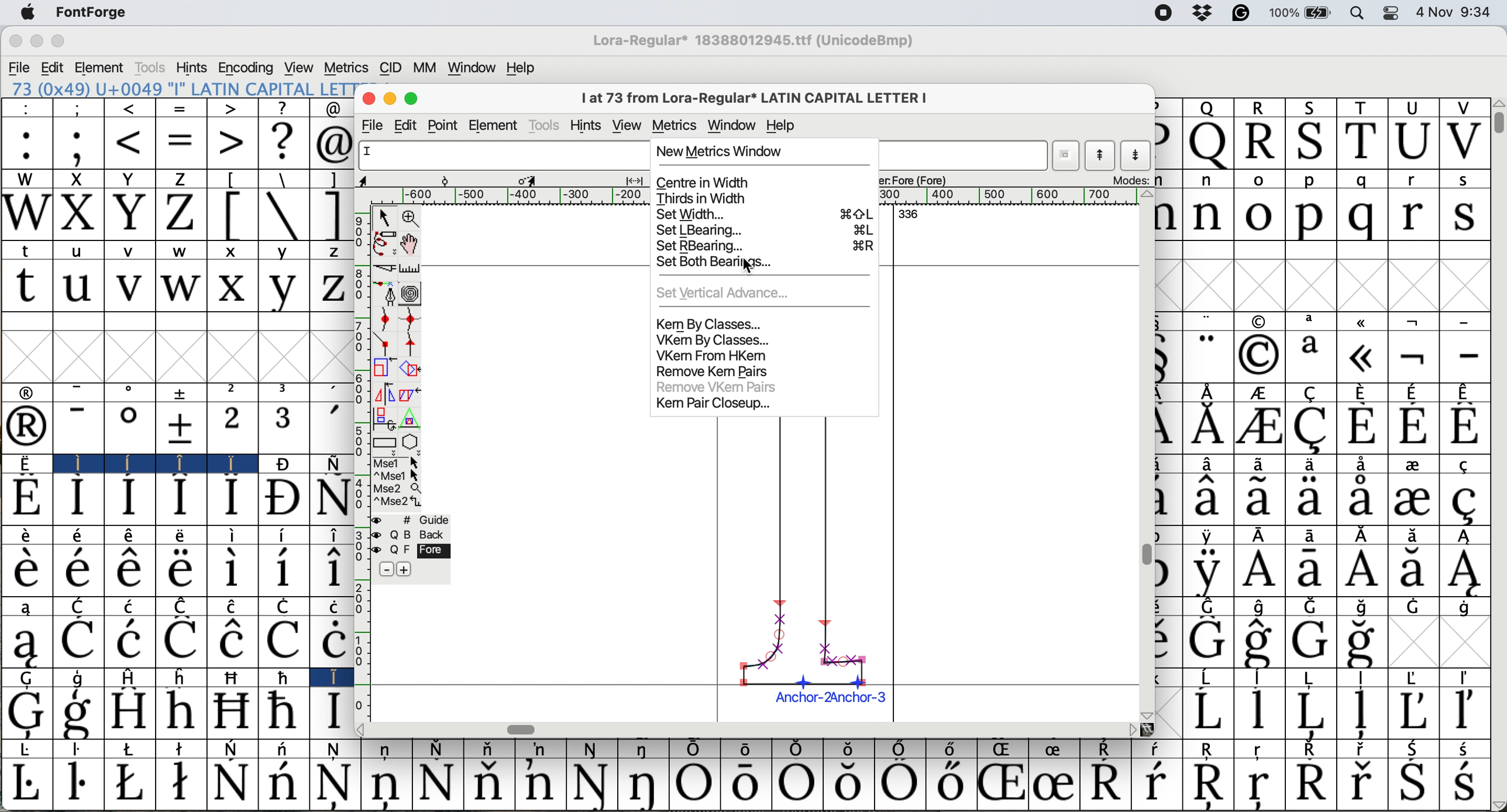  What do you see at coordinates (1361, 783) in the screenshot?
I see `Symbol` at bounding box center [1361, 783].